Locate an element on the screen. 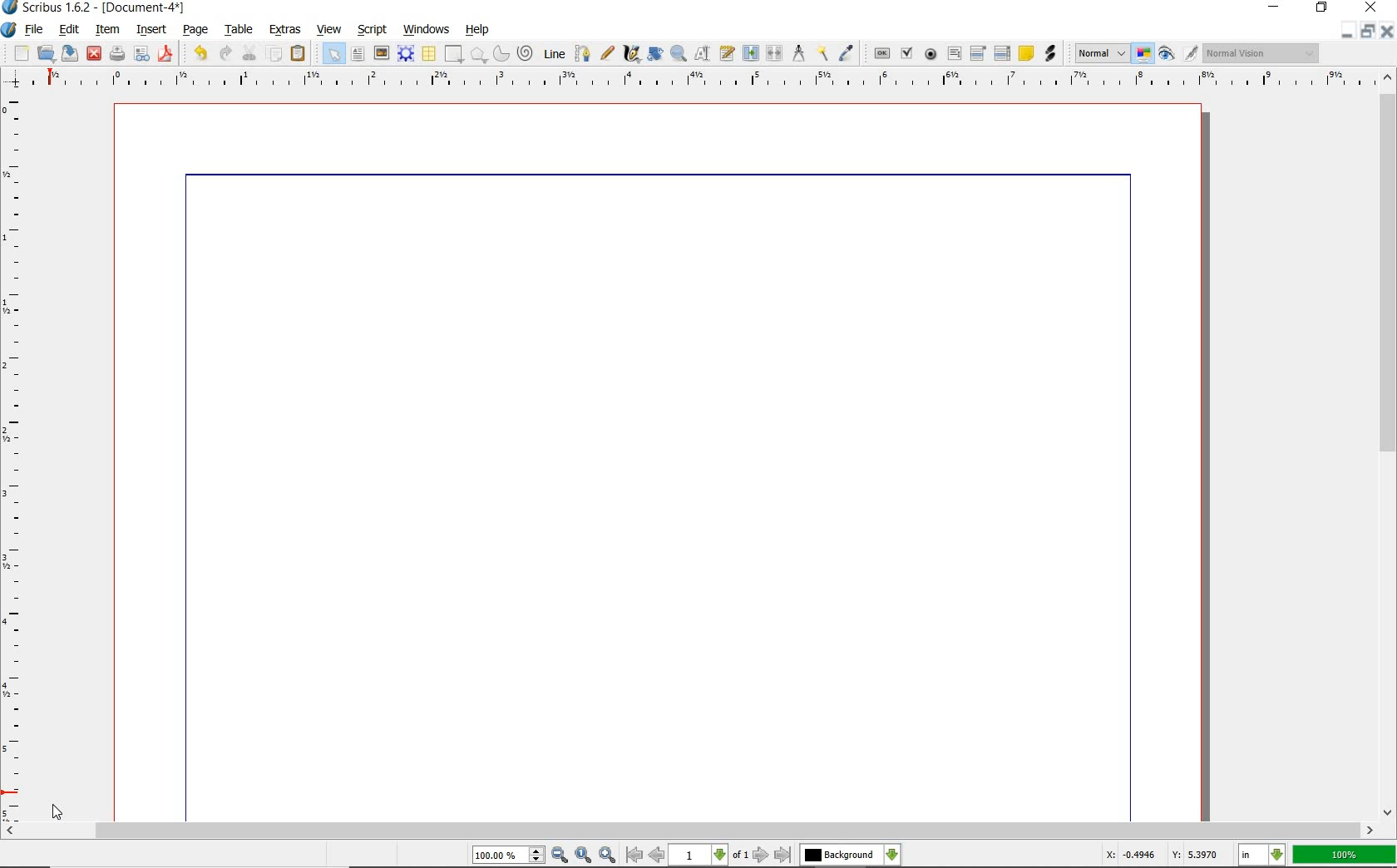 The image size is (1397, 868). Bezier curve is located at coordinates (580, 53).